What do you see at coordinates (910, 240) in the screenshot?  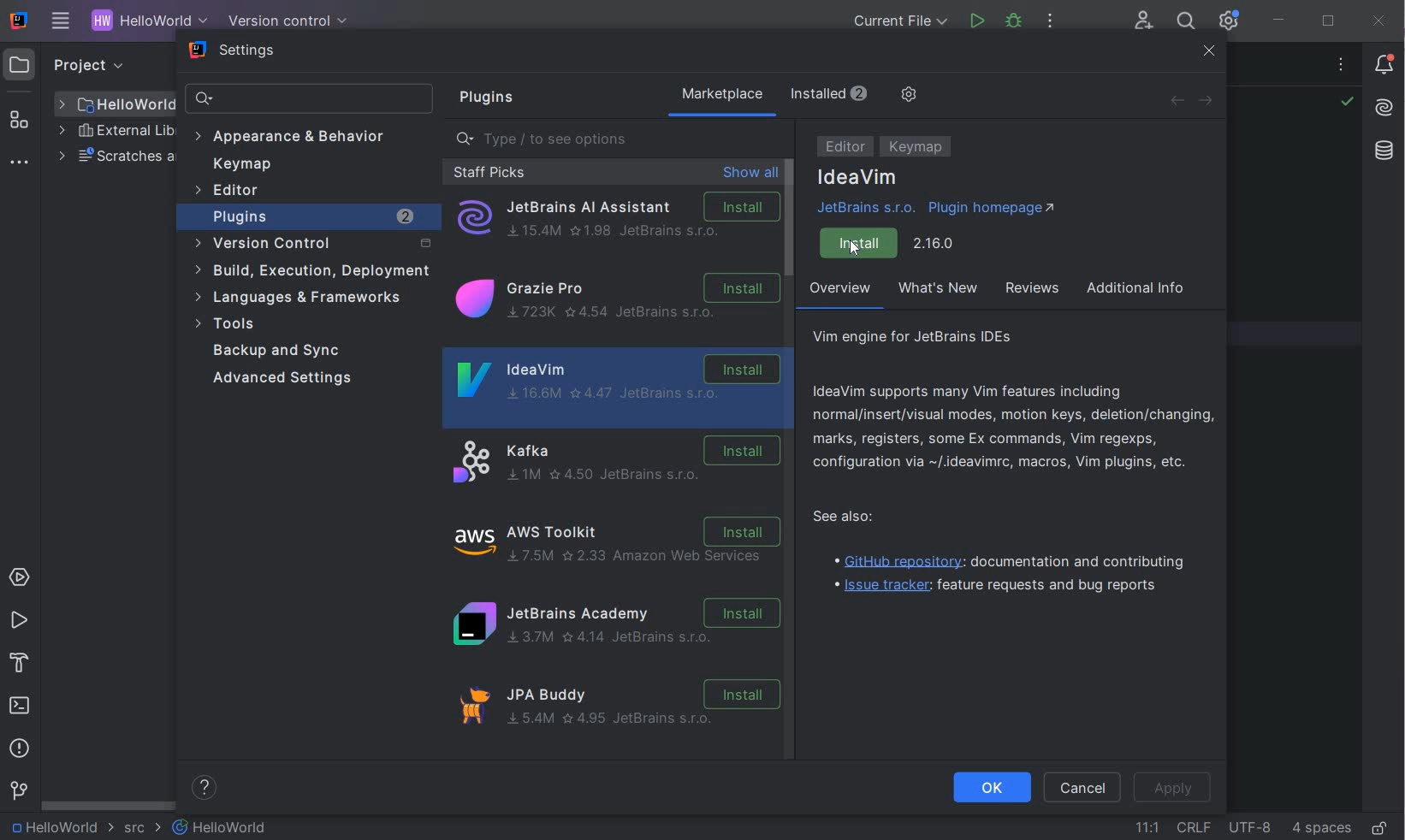 I see `Install` at bounding box center [910, 240].